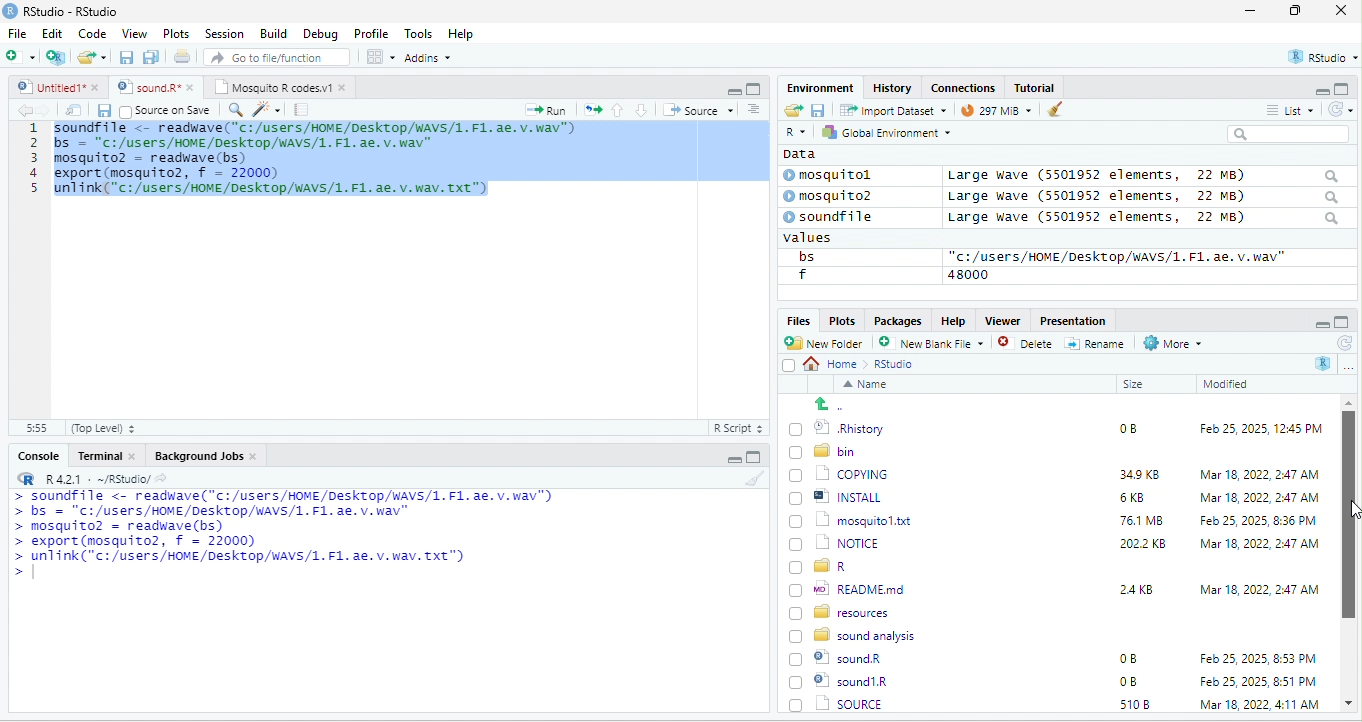 Image resolution: width=1362 pixels, height=722 pixels. I want to click on maximize, so click(753, 88).